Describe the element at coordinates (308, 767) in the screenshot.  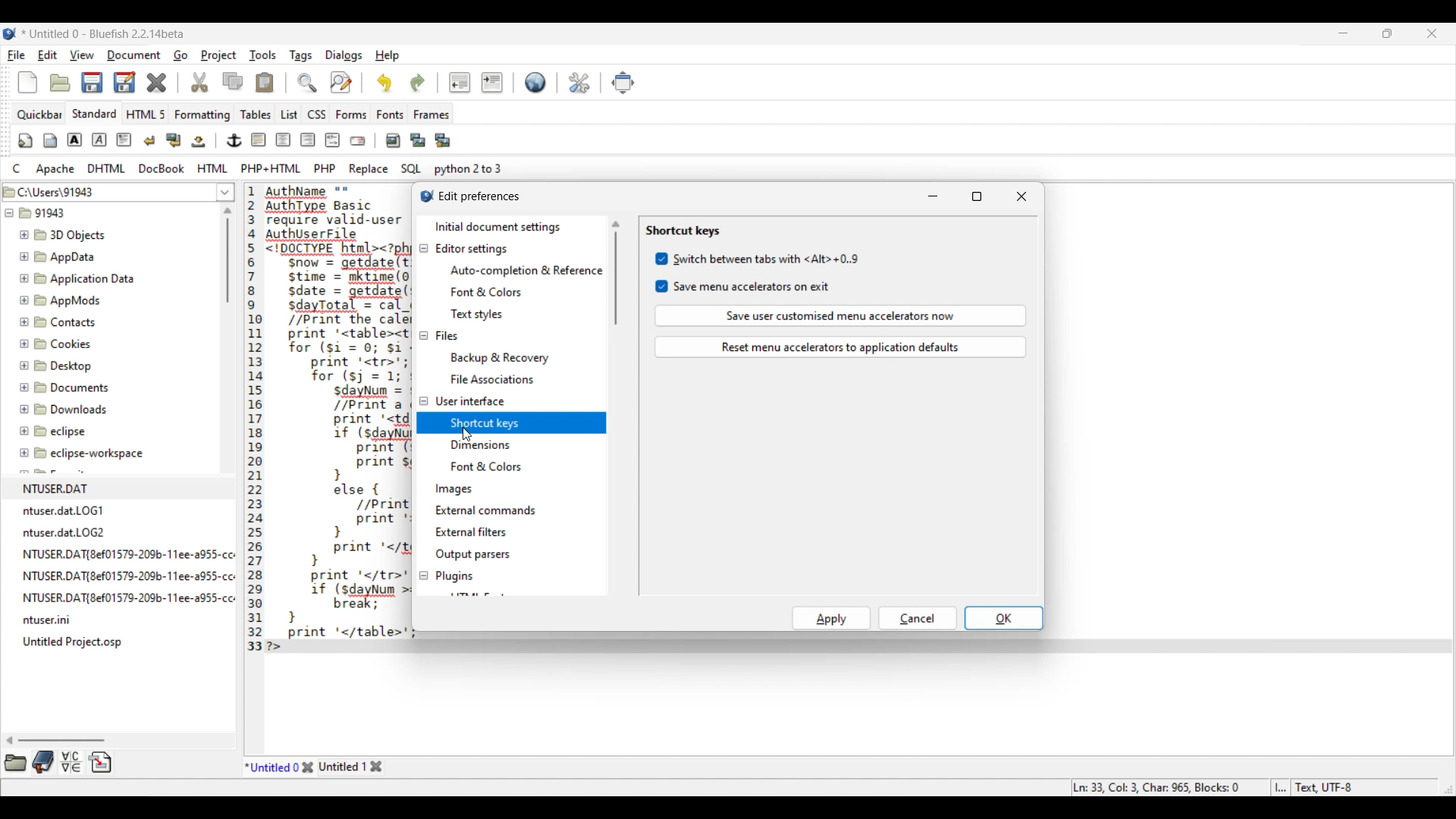
I see `Close` at that location.